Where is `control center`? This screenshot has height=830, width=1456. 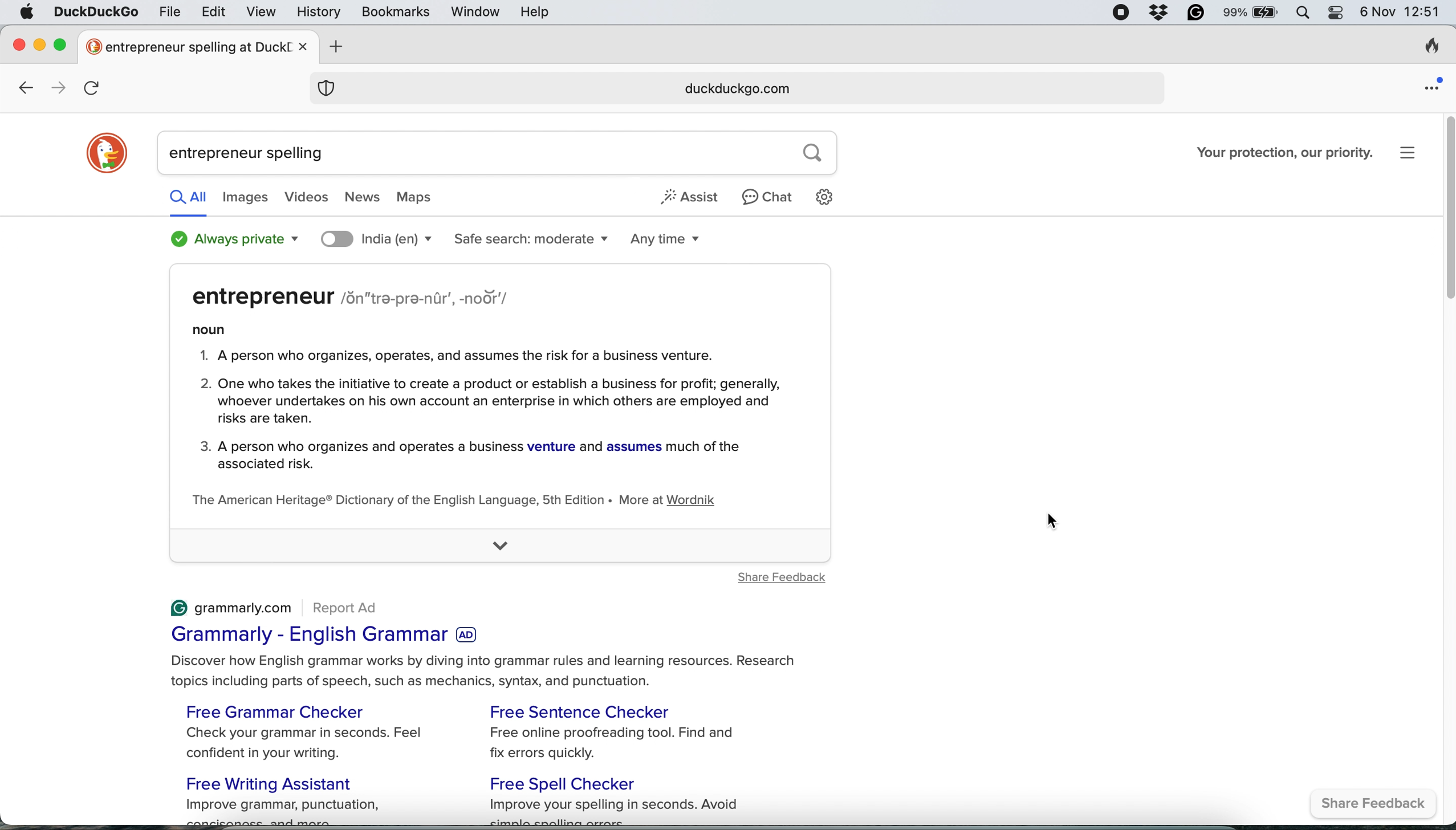 control center is located at coordinates (1337, 13).